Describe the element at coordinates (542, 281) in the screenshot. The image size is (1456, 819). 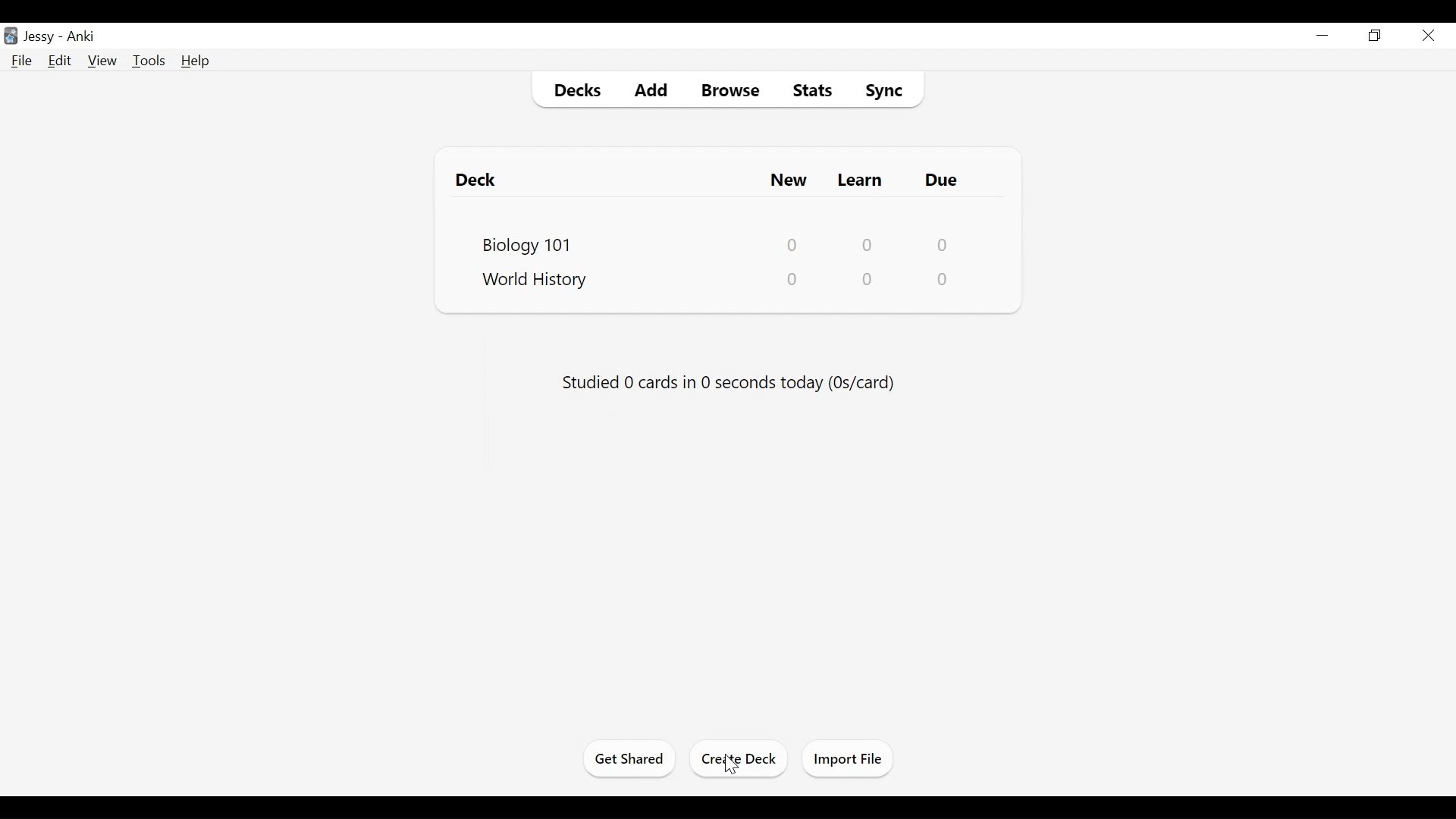
I see `World History` at that location.